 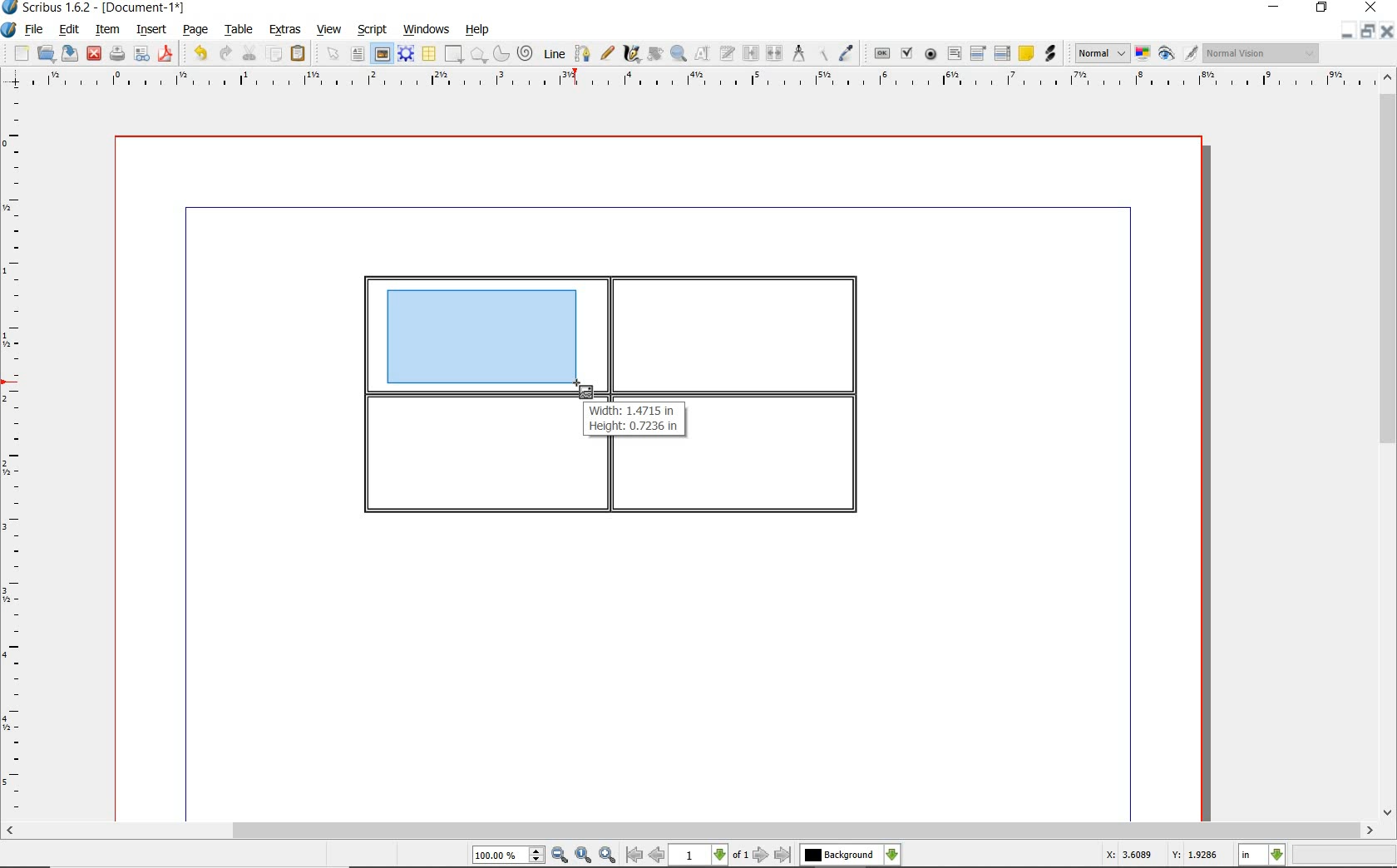 What do you see at coordinates (195, 31) in the screenshot?
I see `page` at bounding box center [195, 31].